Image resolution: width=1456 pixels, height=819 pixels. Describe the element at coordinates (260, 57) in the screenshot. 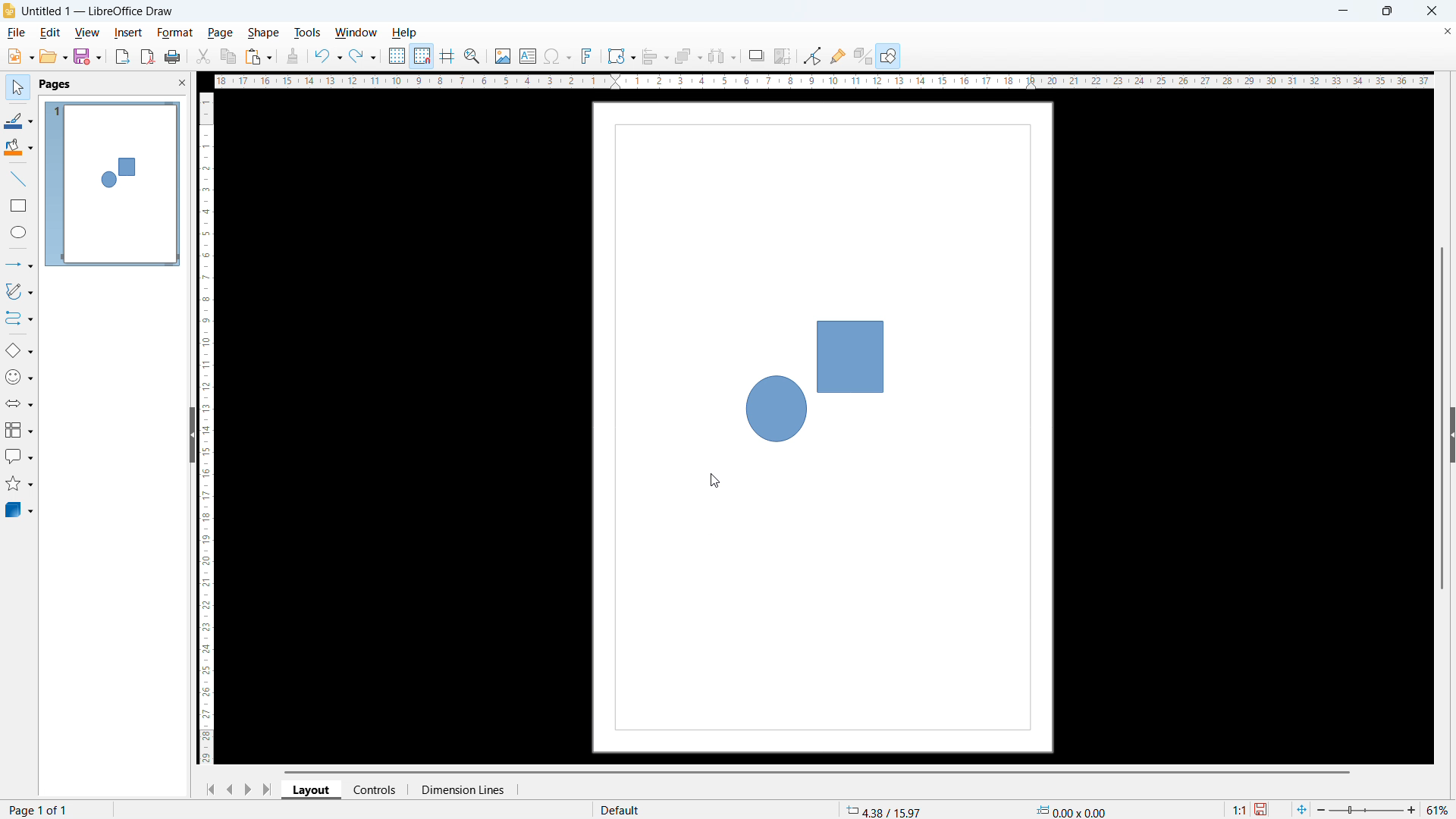

I see `paste` at that location.